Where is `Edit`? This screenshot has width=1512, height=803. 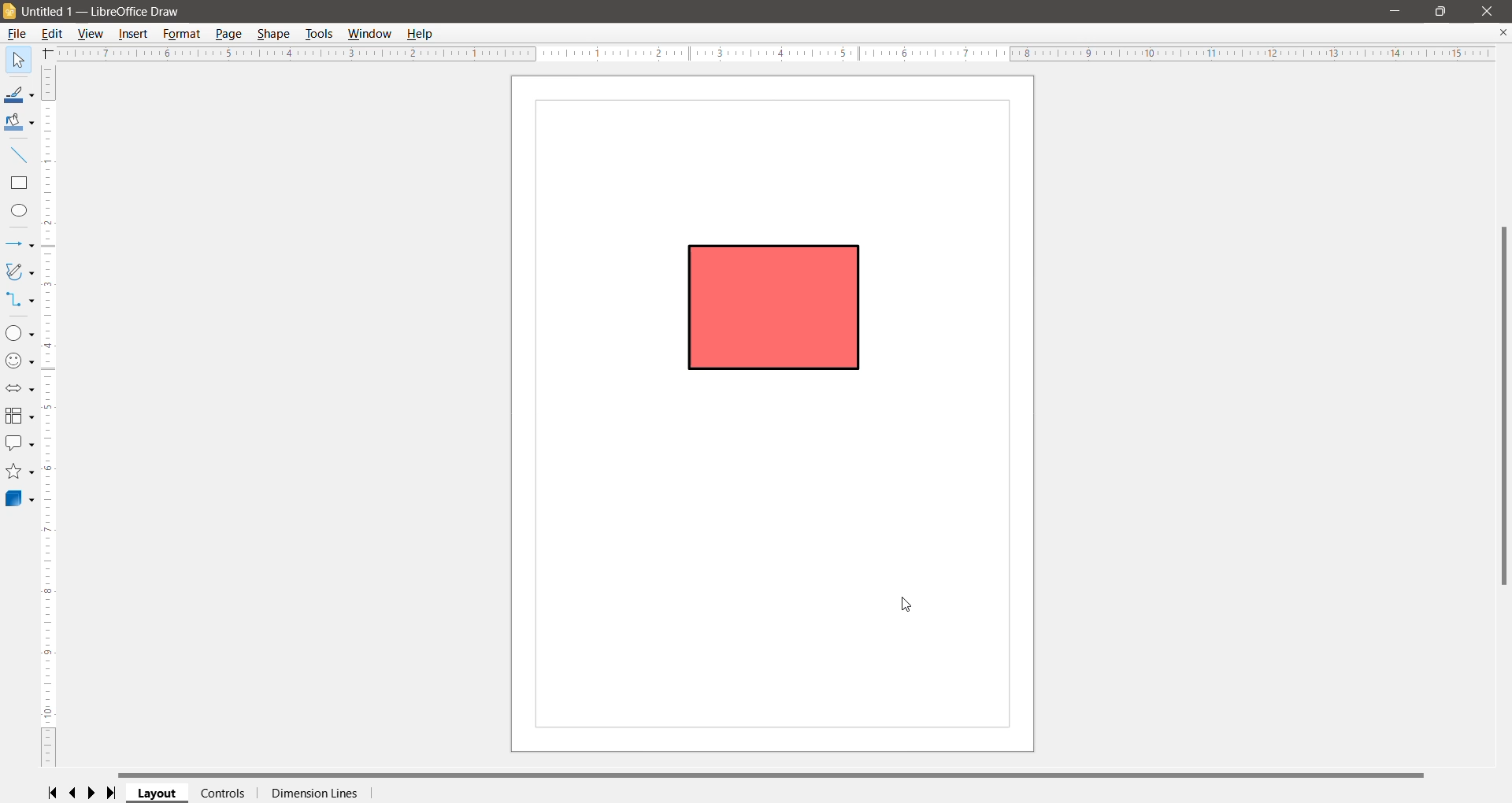
Edit is located at coordinates (53, 35).